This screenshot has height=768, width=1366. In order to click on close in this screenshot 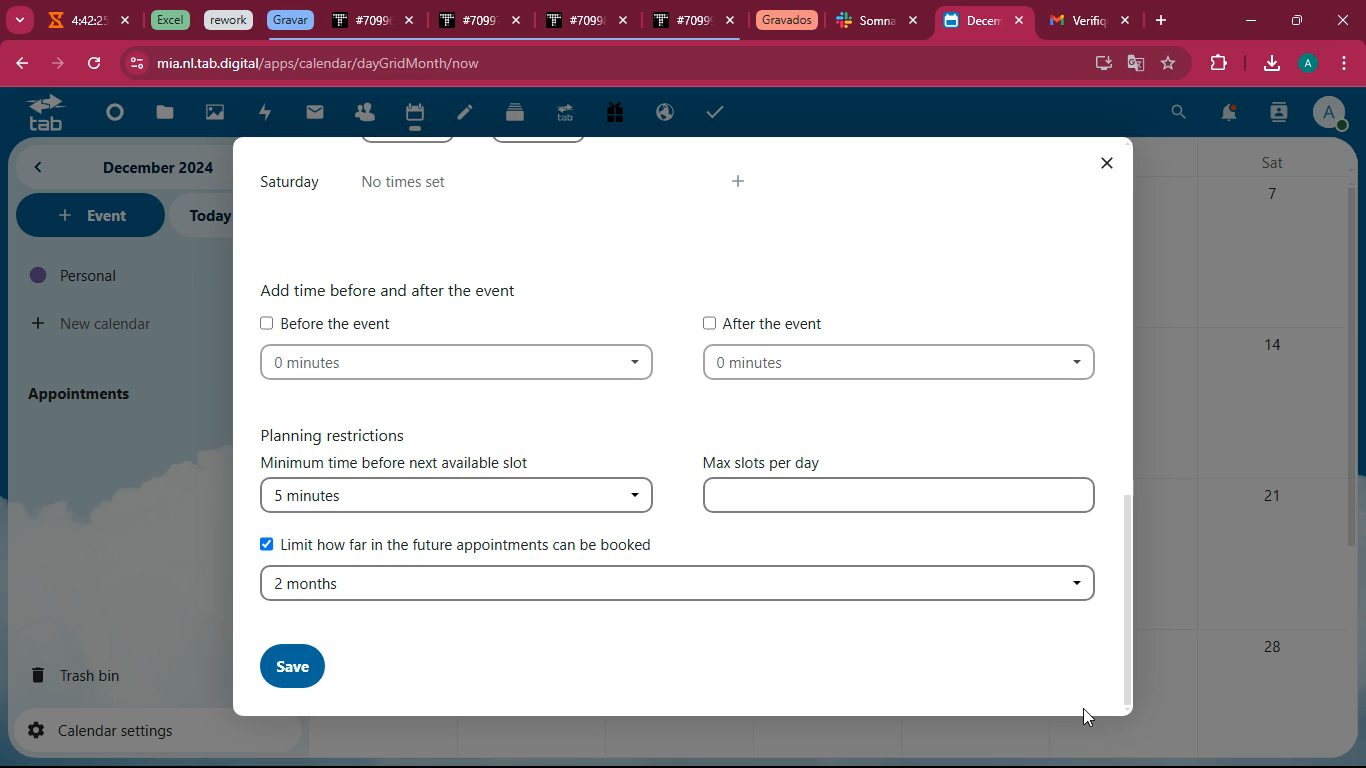, I will do `click(521, 24)`.